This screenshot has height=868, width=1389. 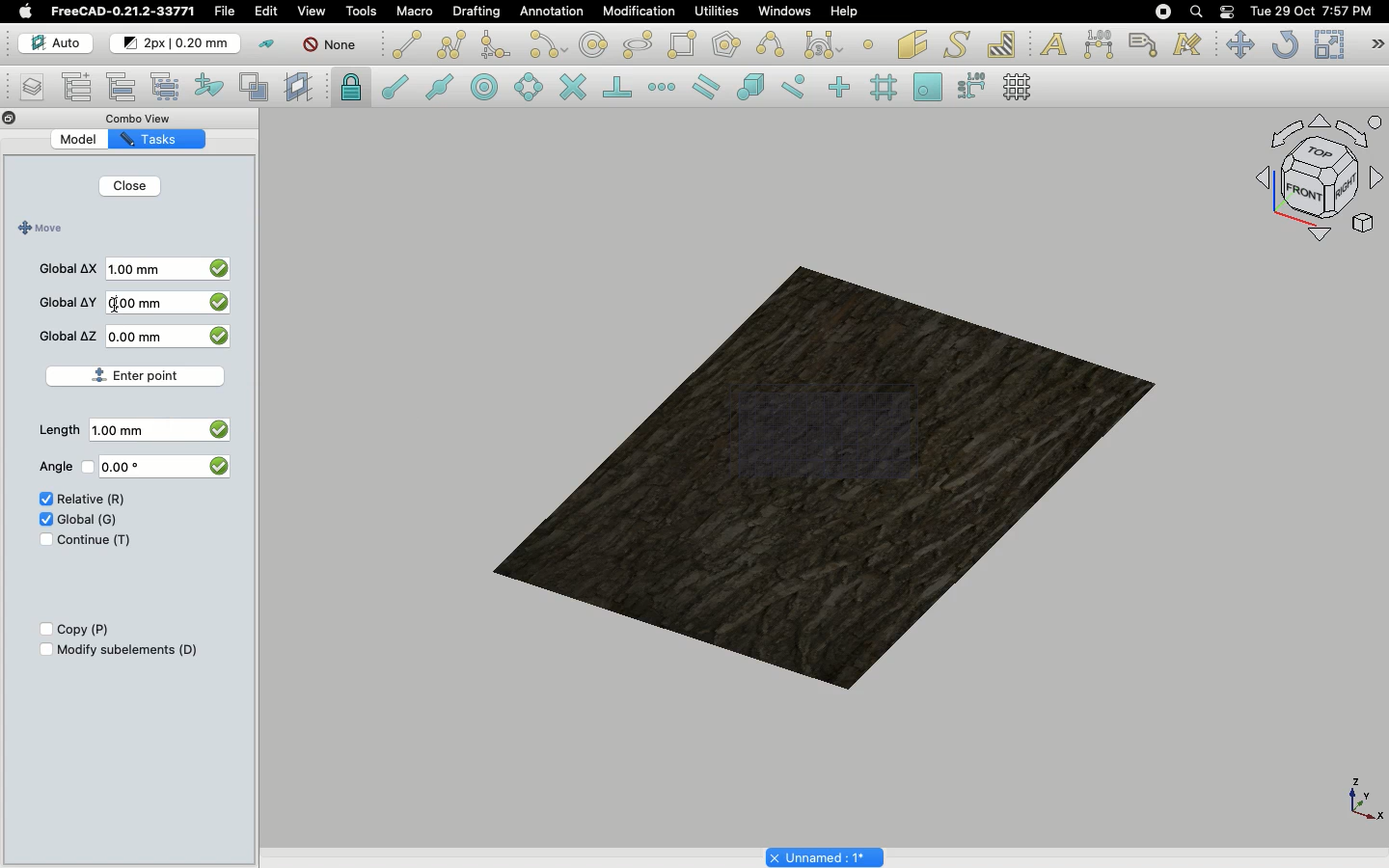 I want to click on Snap intersection, so click(x=574, y=89).